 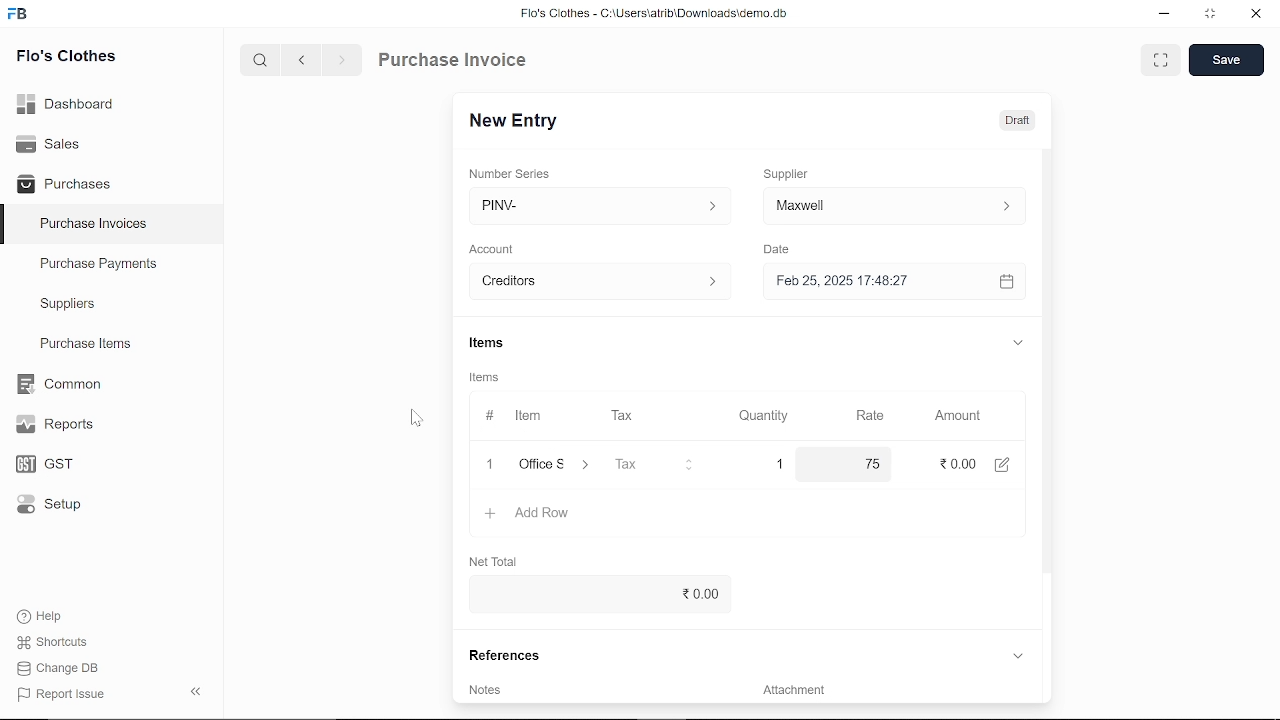 I want to click on expand, so click(x=1018, y=345).